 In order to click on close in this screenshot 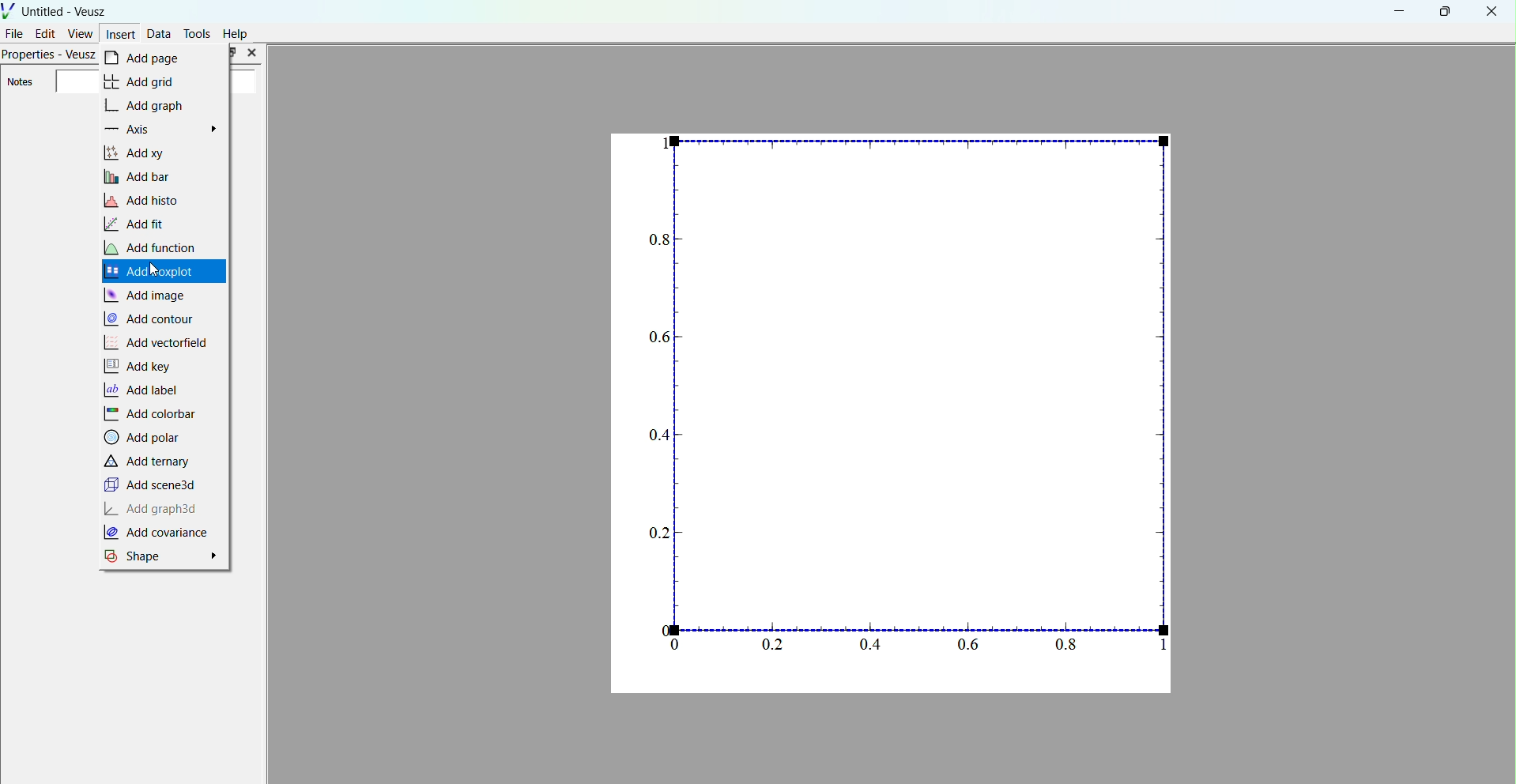, I will do `click(252, 53)`.